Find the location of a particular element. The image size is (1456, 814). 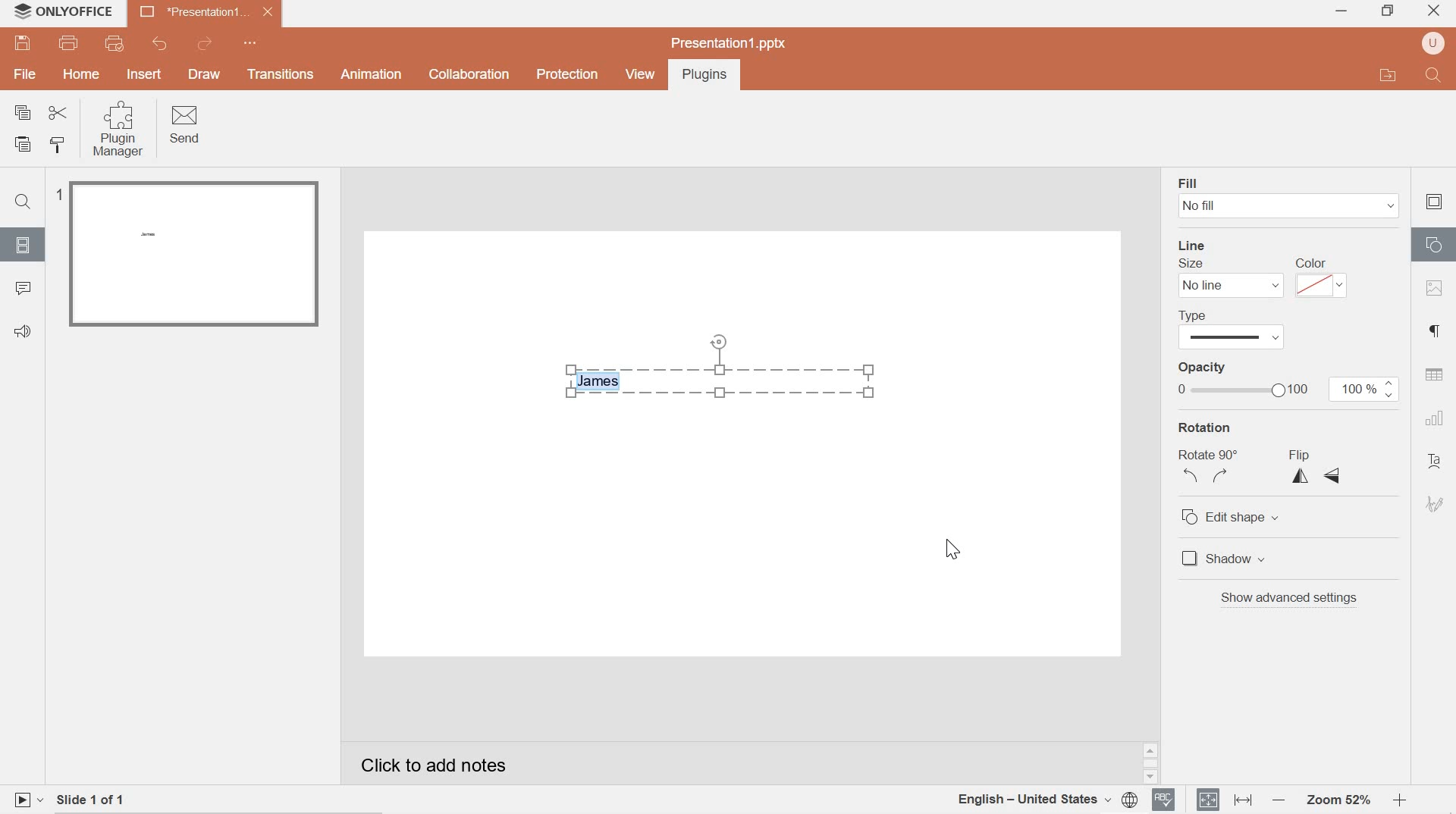

No line is located at coordinates (1227, 286).